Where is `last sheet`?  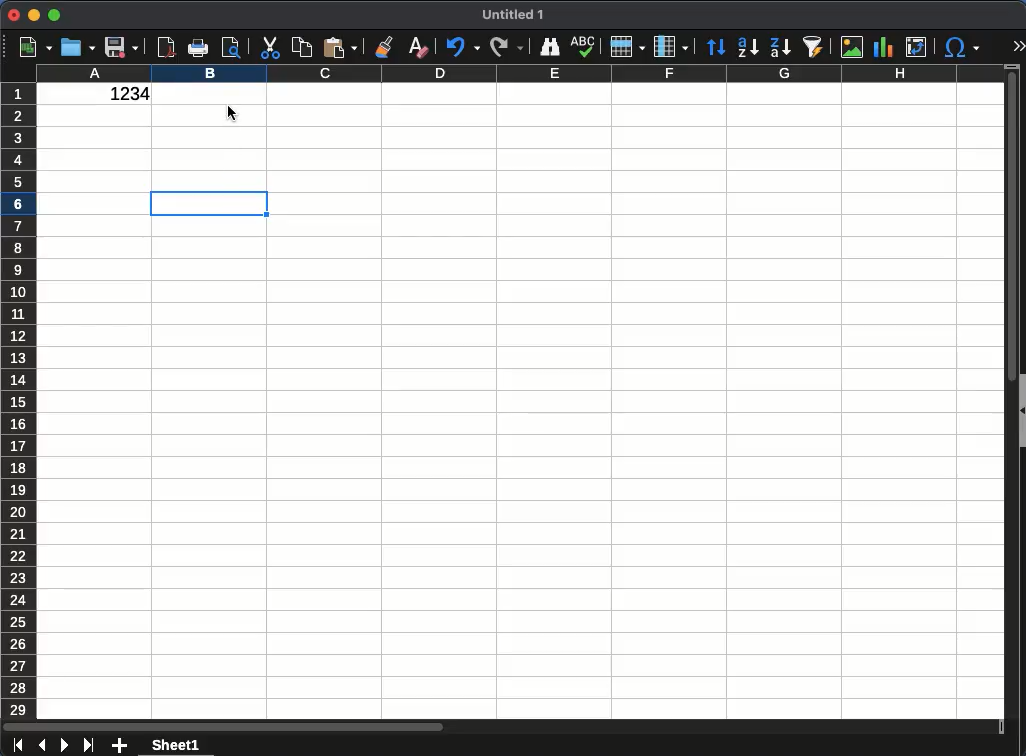 last sheet is located at coordinates (88, 743).